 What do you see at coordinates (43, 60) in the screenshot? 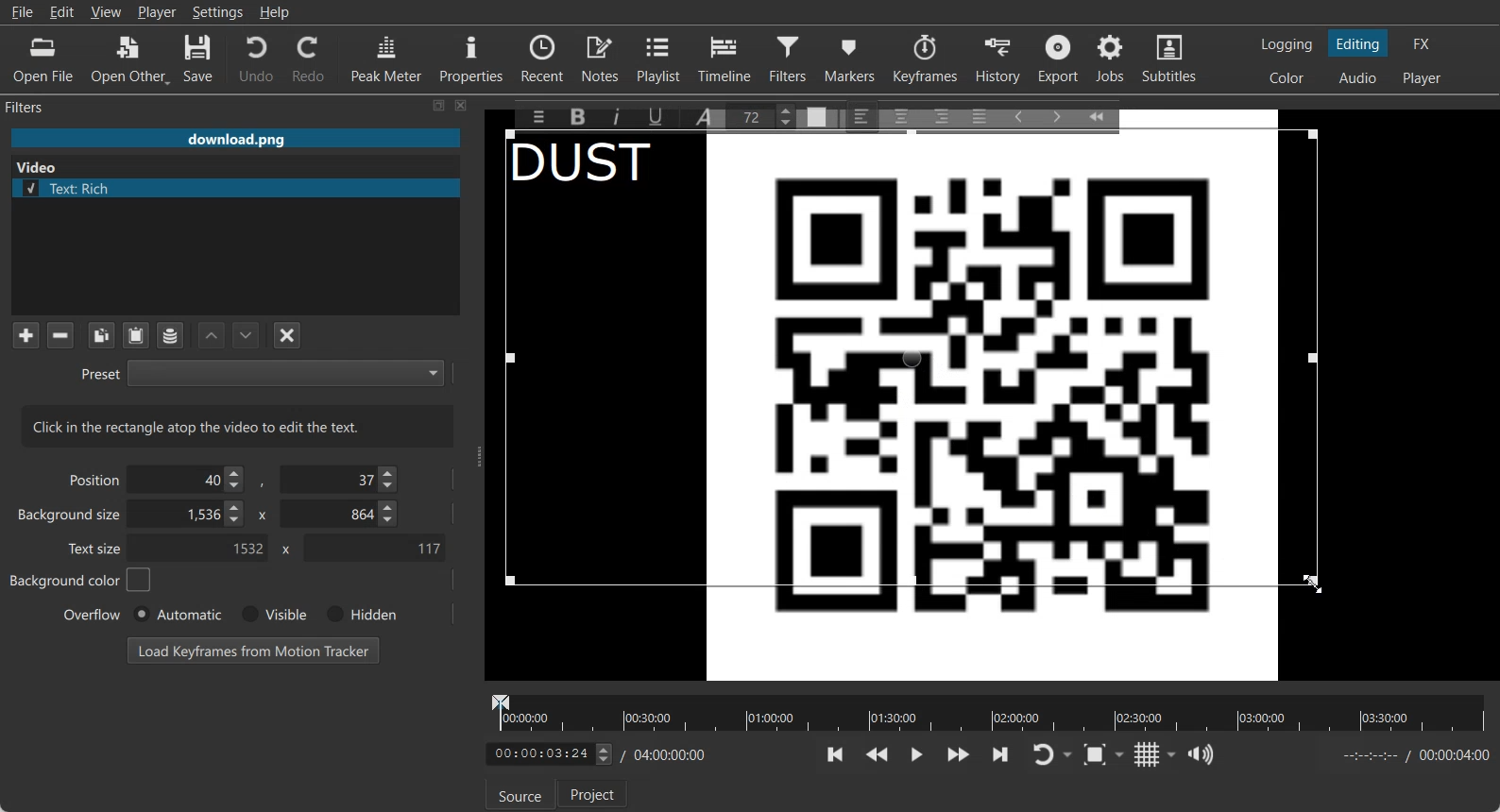
I see `Open File` at bounding box center [43, 60].